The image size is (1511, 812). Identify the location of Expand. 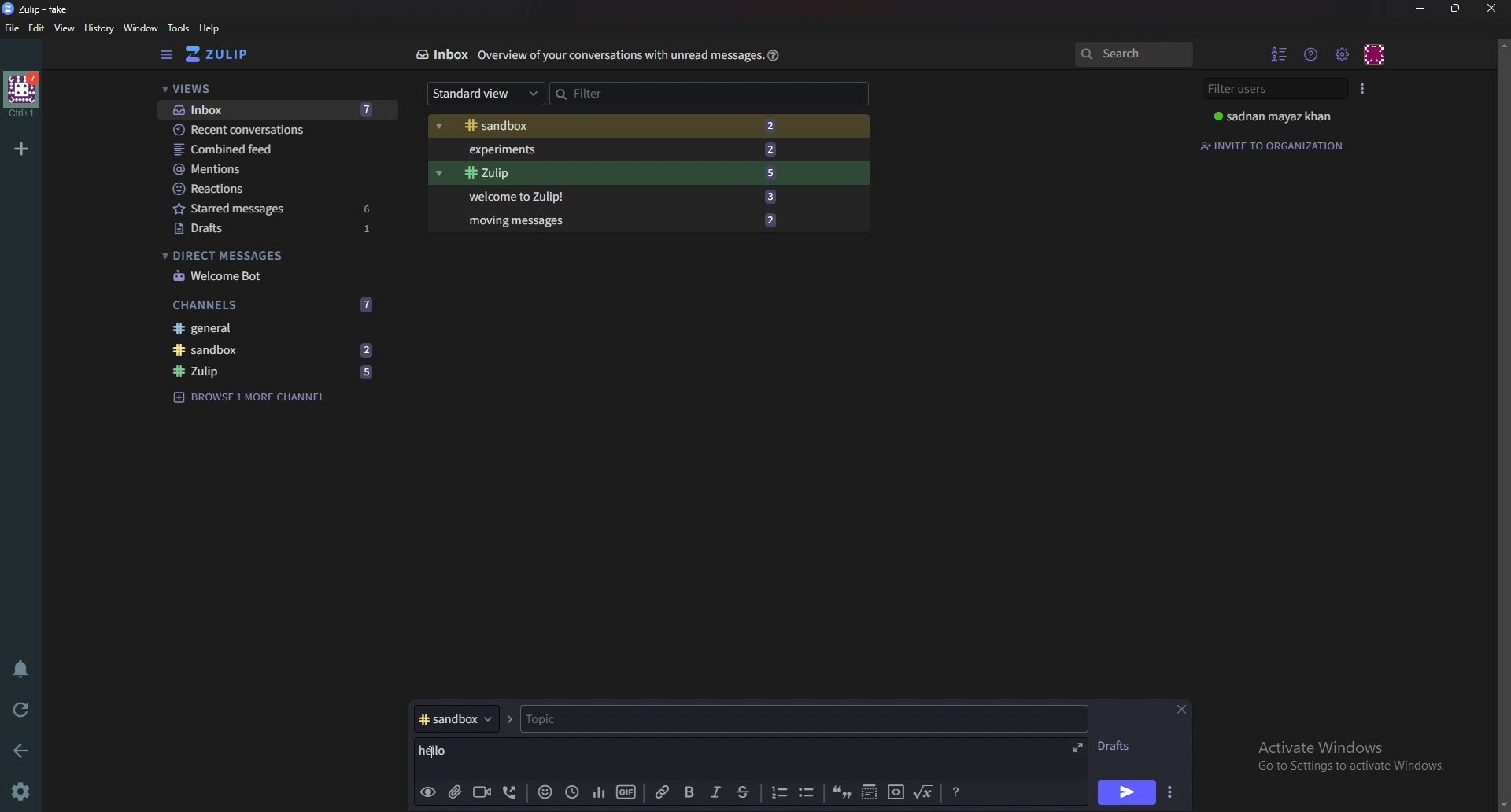
(1081, 746).